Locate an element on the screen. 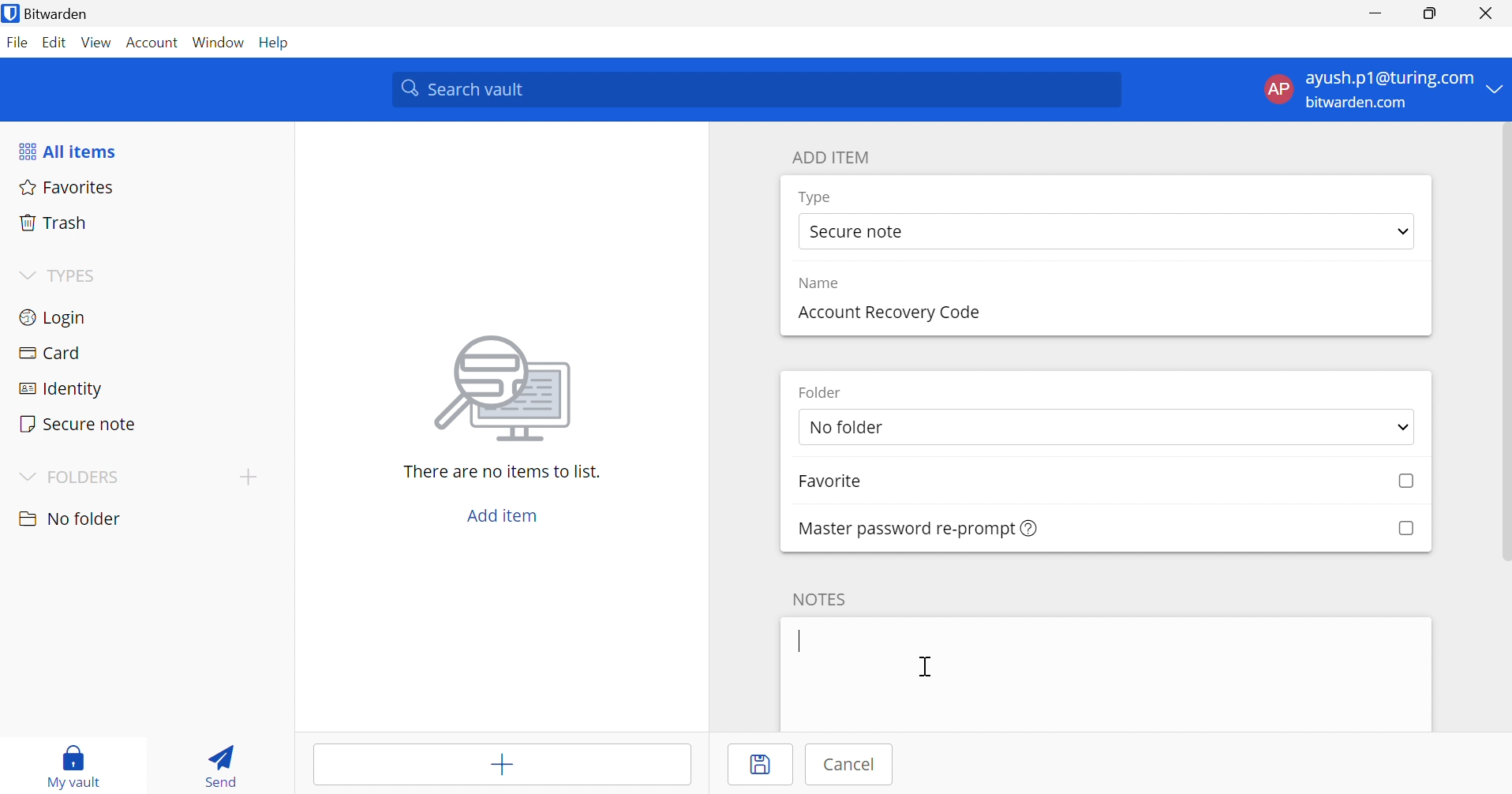 The image size is (1512, 794). Identity is located at coordinates (59, 389).